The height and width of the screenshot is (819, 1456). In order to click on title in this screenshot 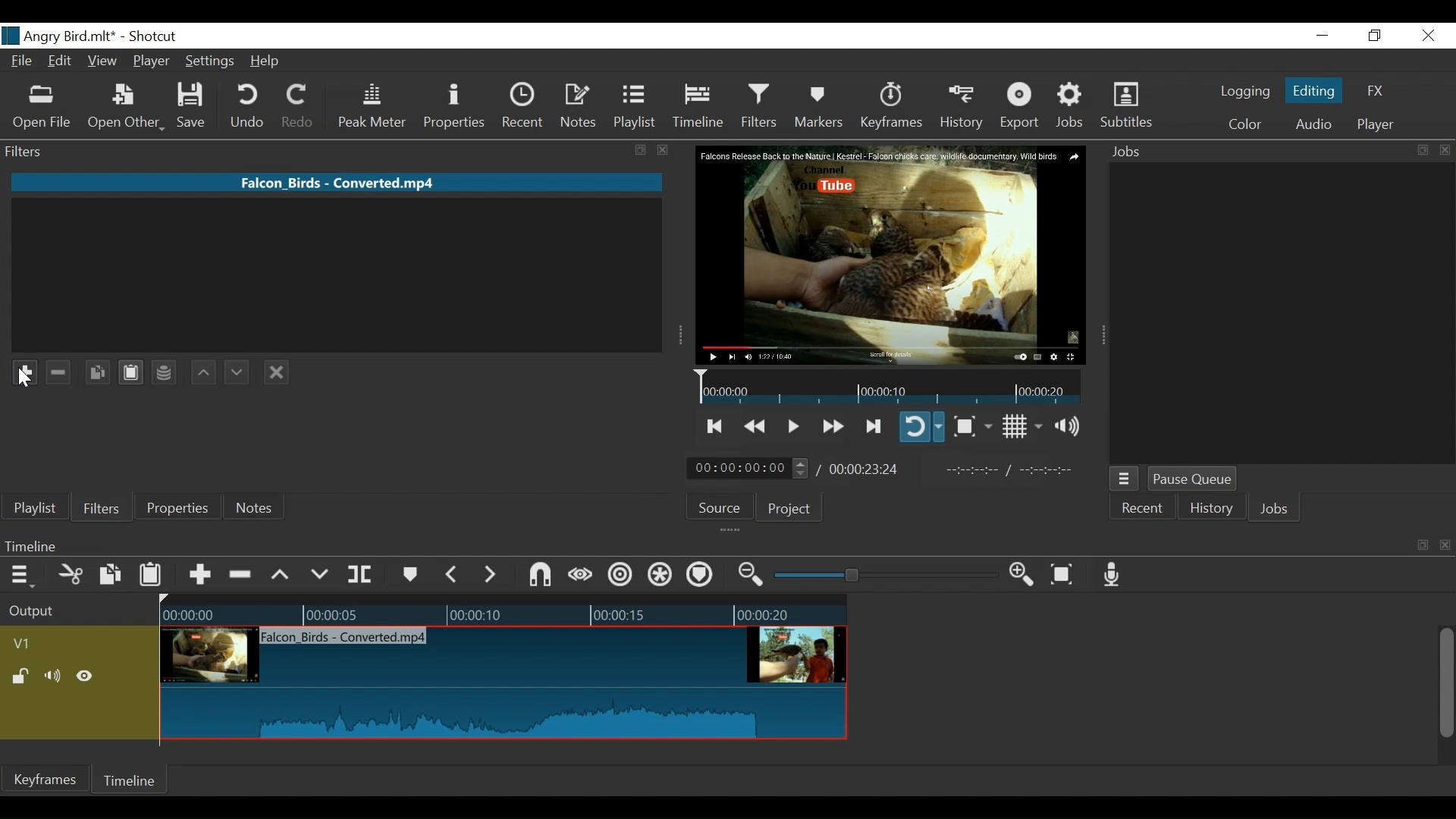, I will do `click(112, 35)`.